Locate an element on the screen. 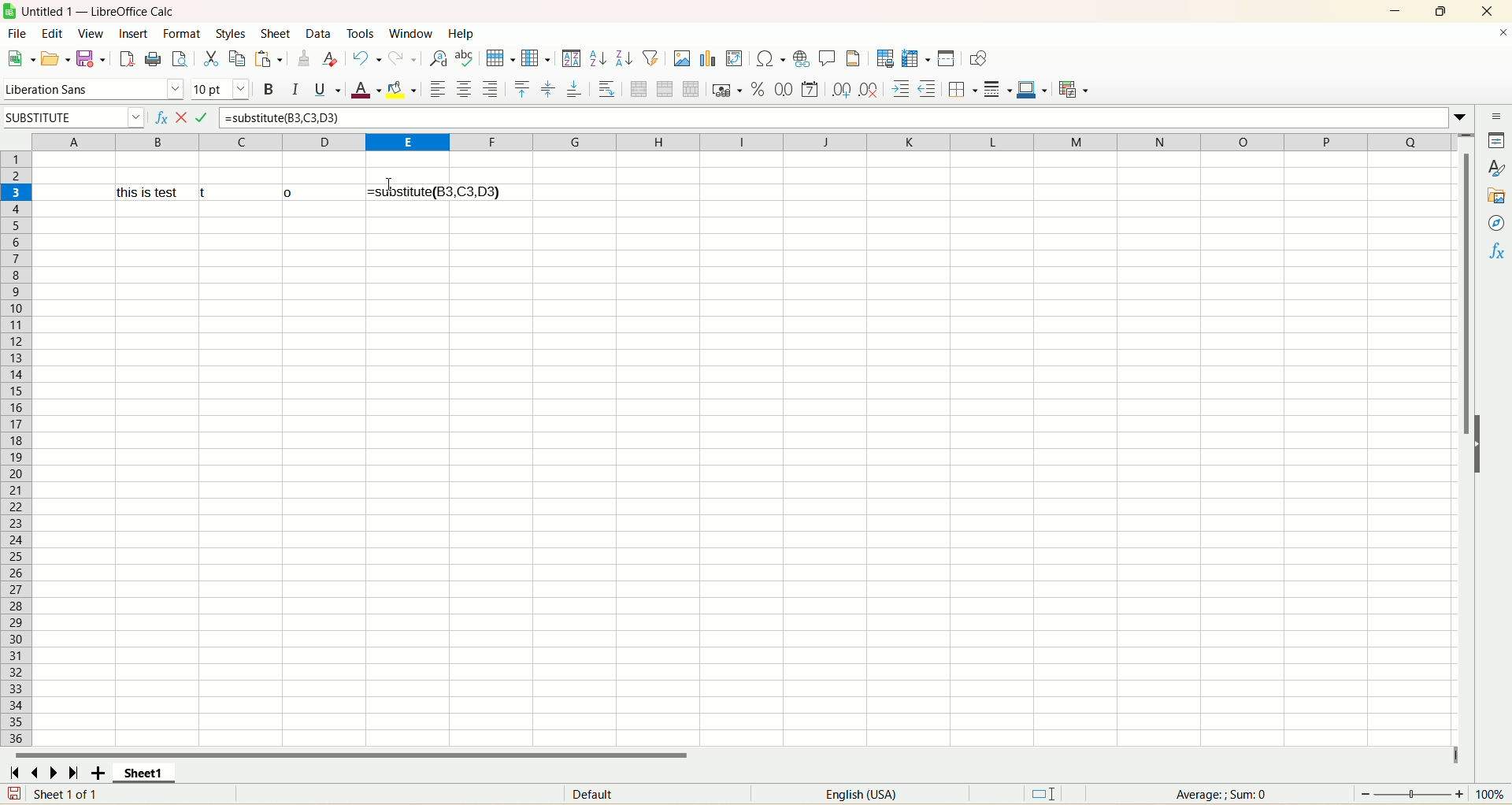 The width and height of the screenshot is (1512, 805). formula bar is located at coordinates (831, 117).